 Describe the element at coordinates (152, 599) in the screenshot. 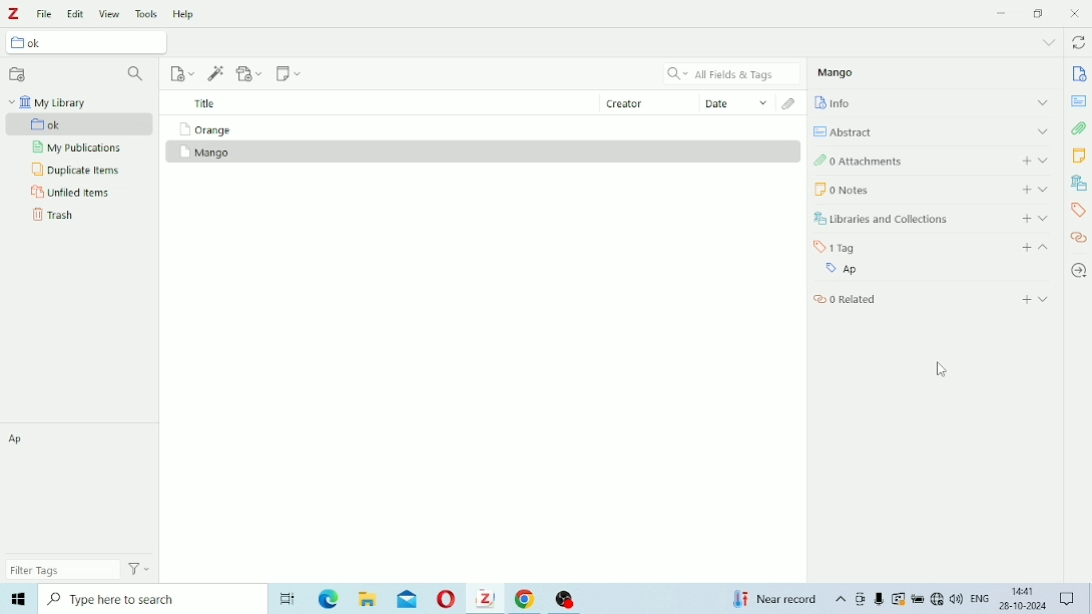

I see `Type here to search` at that location.